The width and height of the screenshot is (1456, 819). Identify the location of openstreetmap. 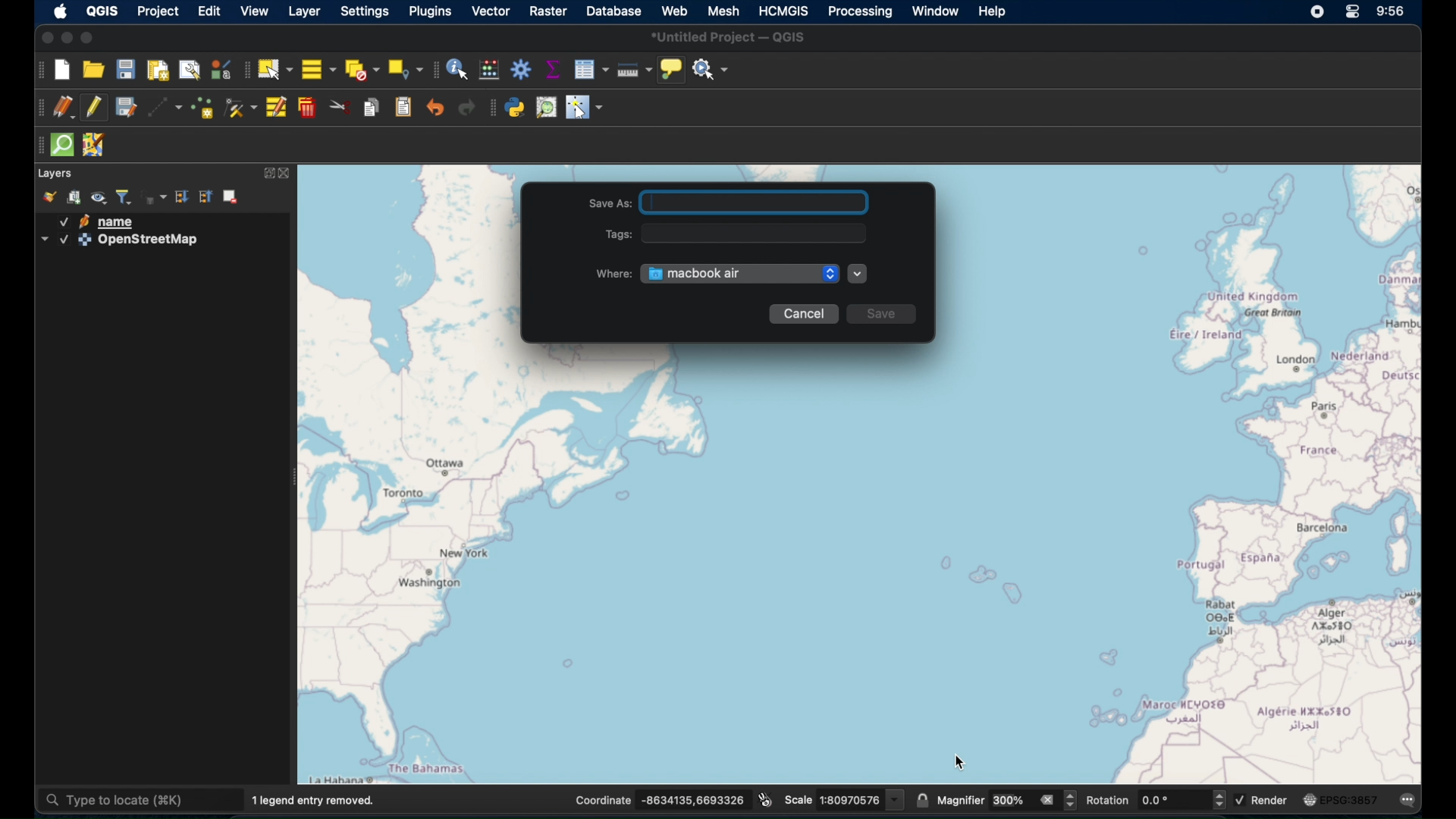
(120, 242).